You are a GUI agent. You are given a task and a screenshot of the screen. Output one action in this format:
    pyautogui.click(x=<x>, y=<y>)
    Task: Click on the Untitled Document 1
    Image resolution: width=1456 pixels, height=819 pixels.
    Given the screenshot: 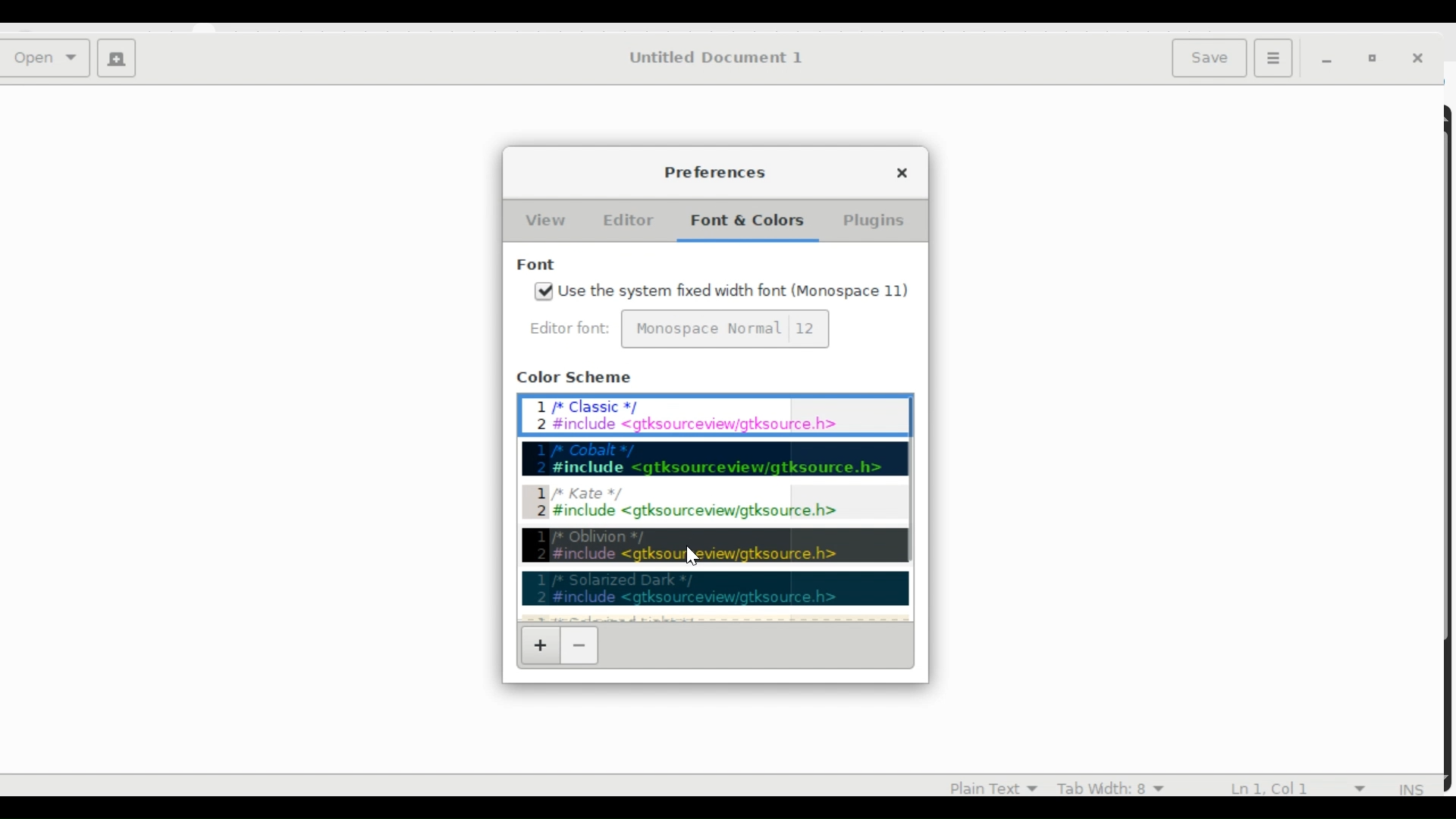 What is the action you would take?
    pyautogui.click(x=714, y=58)
    